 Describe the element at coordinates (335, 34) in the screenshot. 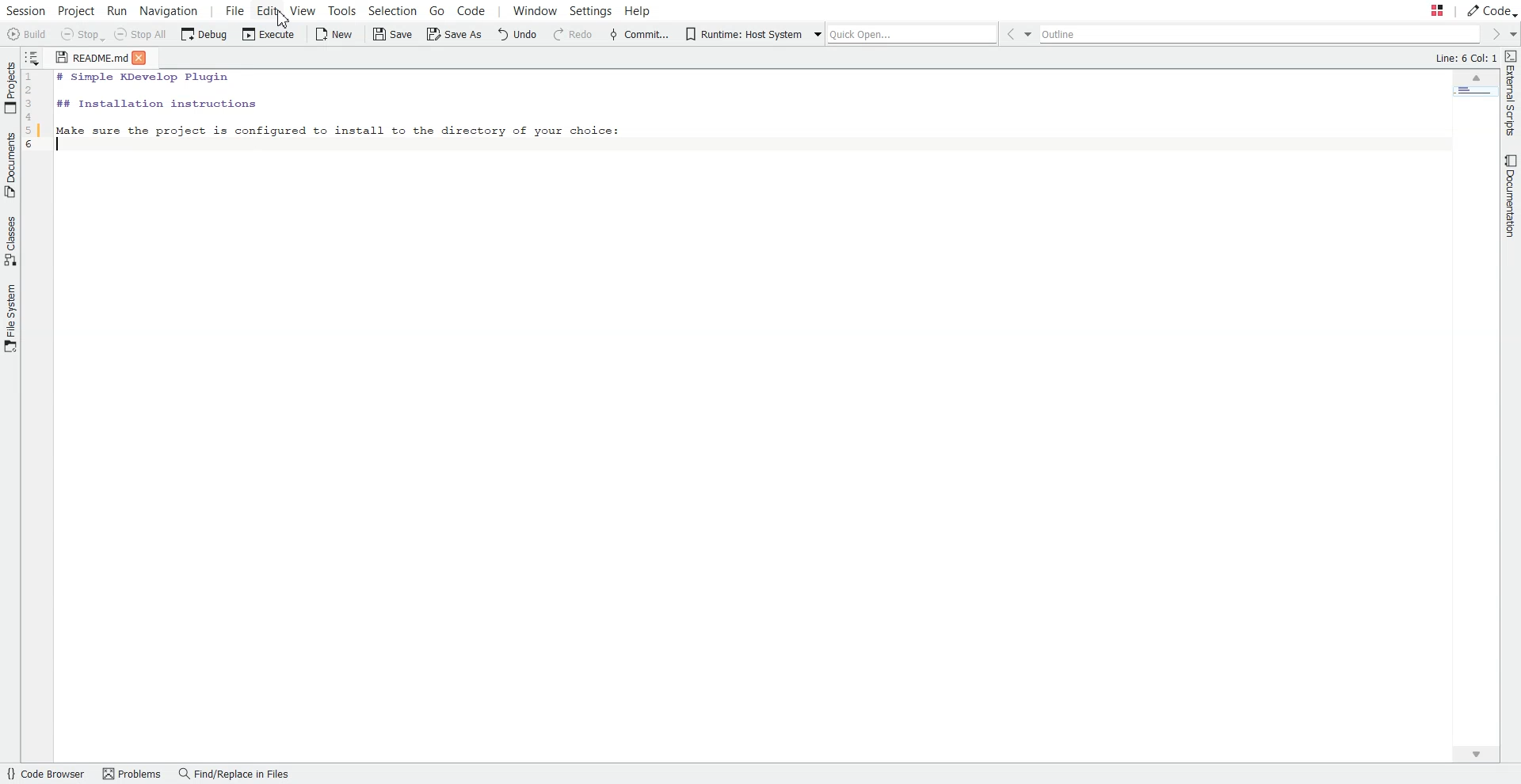

I see `New` at that location.